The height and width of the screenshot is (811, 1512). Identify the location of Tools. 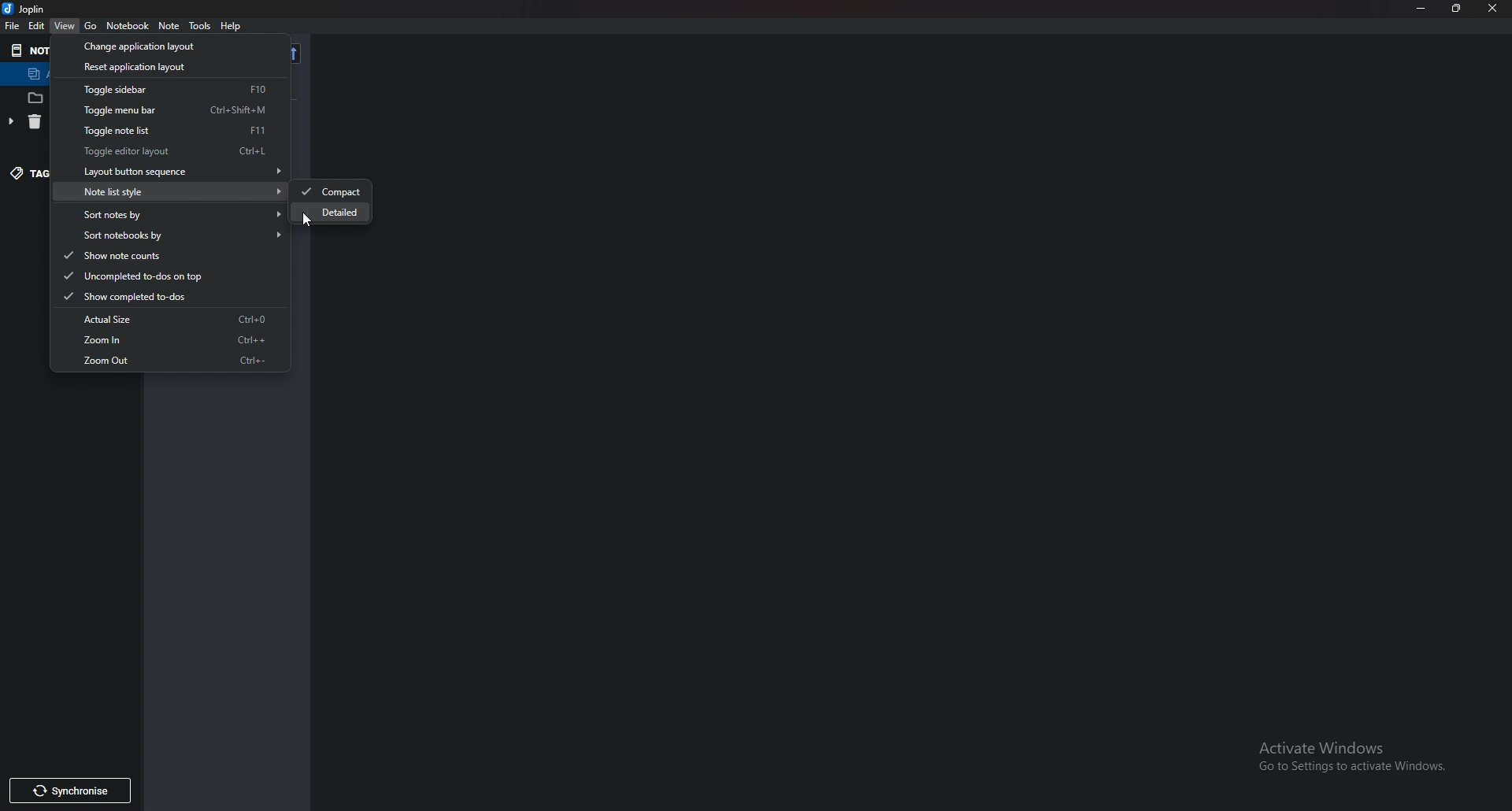
(201, 26).